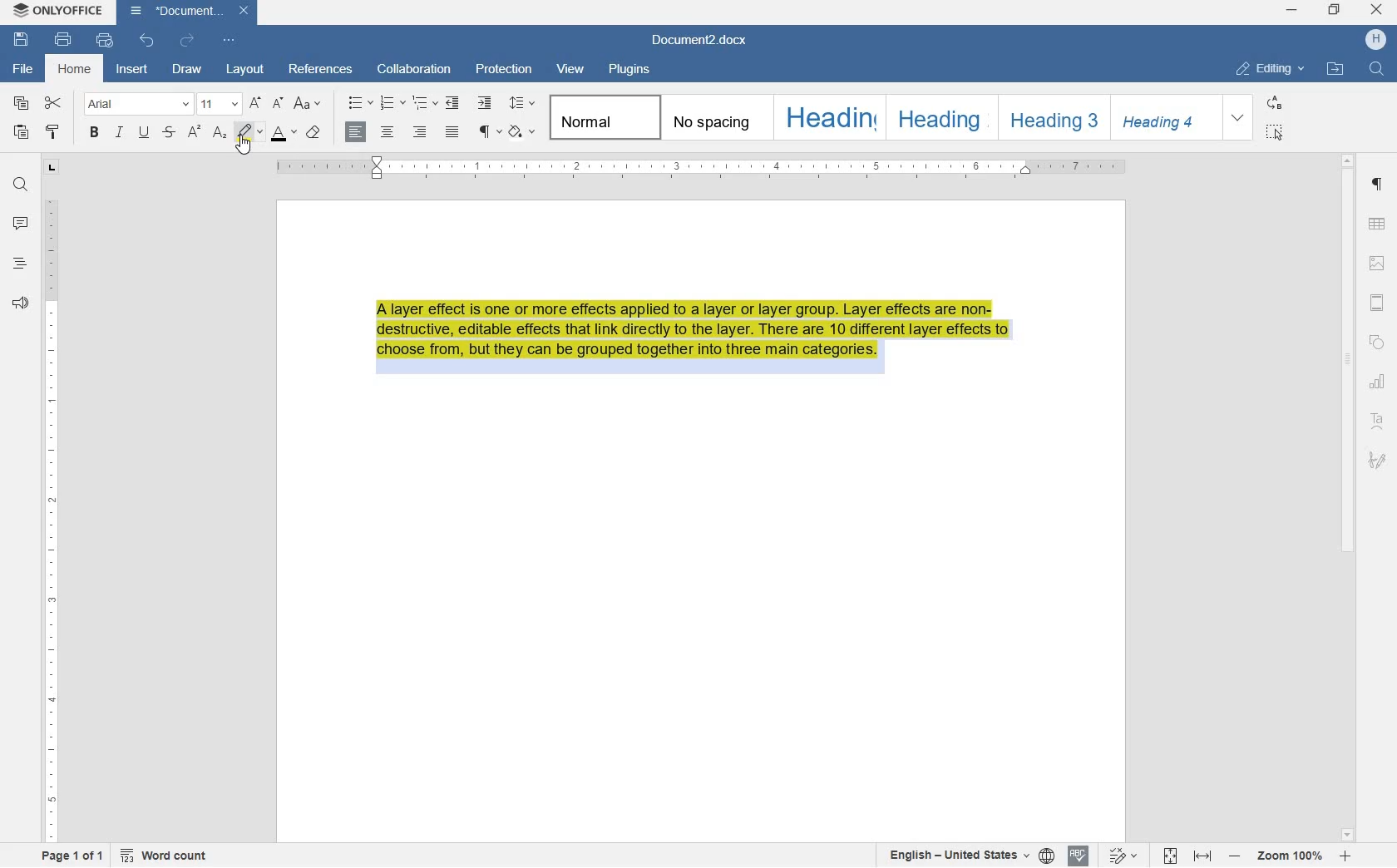 The width and height of the screenshot is (1397, 868). What do you see at coordinates (50, 169) in the screenshot?
I see `TAB STOP` at bounding box center [50, 169].